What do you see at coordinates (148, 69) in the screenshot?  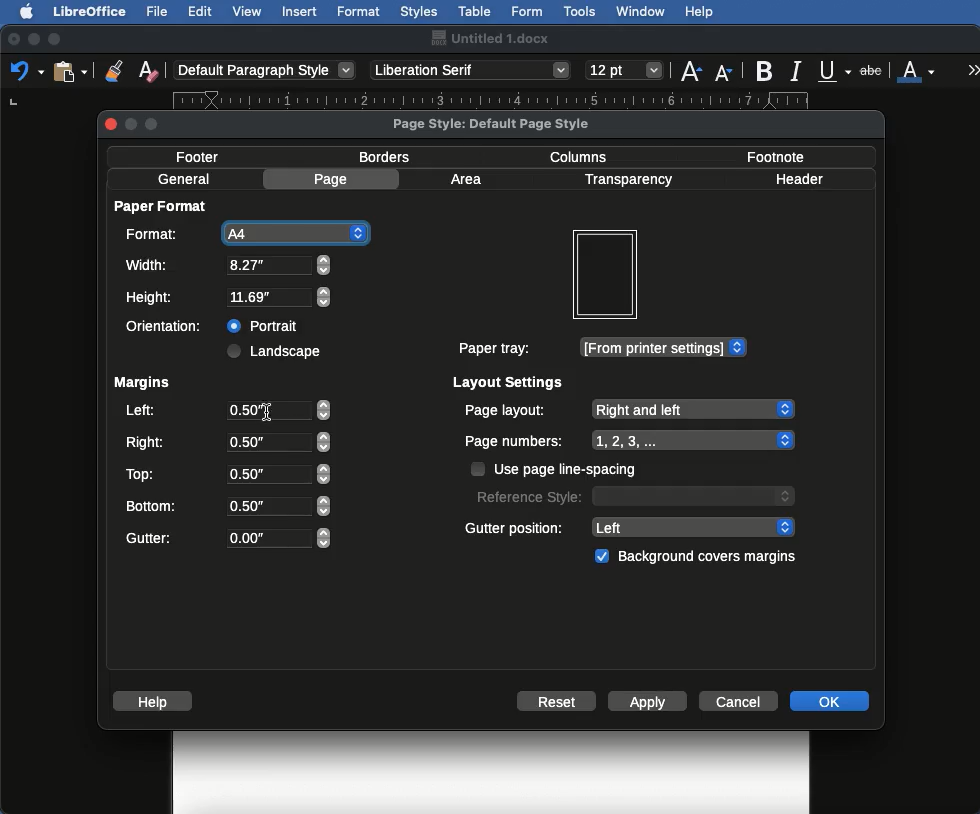 I see `Clear formatting` at bounding box center [148, 69].